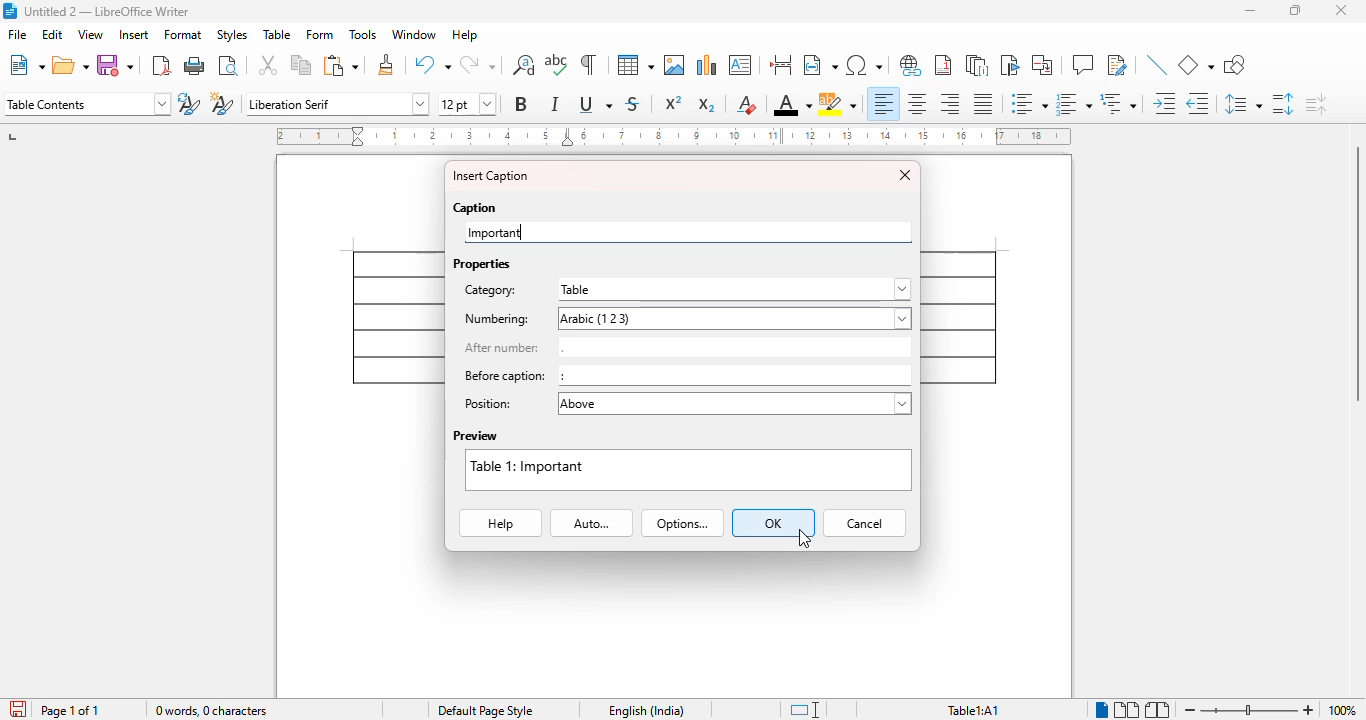  What do you see at coordinates (414, 34) in the screenshot?
I see `window` at bounding box center [414, 34].